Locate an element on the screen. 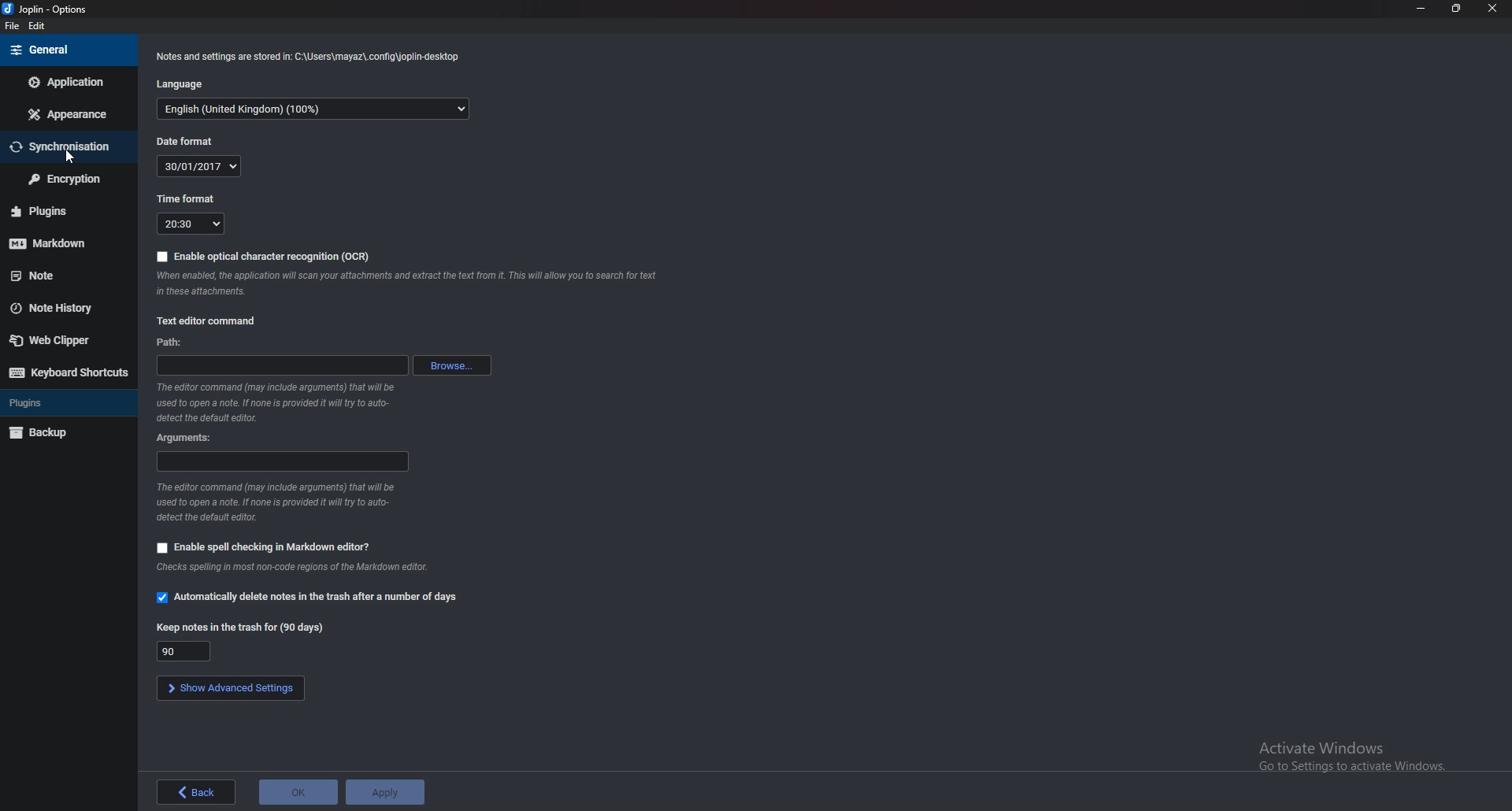 The width and height of the screenshot is (1512, 811). close is located at coordinates (1492, 9).